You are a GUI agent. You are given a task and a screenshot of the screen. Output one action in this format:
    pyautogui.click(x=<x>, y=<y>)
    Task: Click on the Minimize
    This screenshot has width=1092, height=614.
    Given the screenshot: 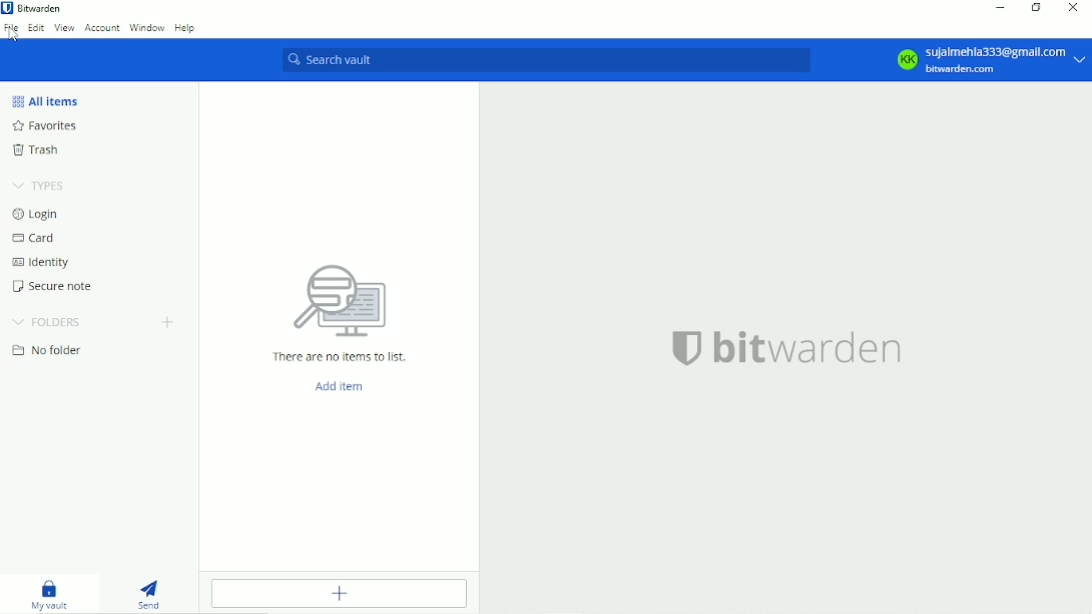 What is the action you would take?
    pyautogui.click(x=1000, y=8)
    